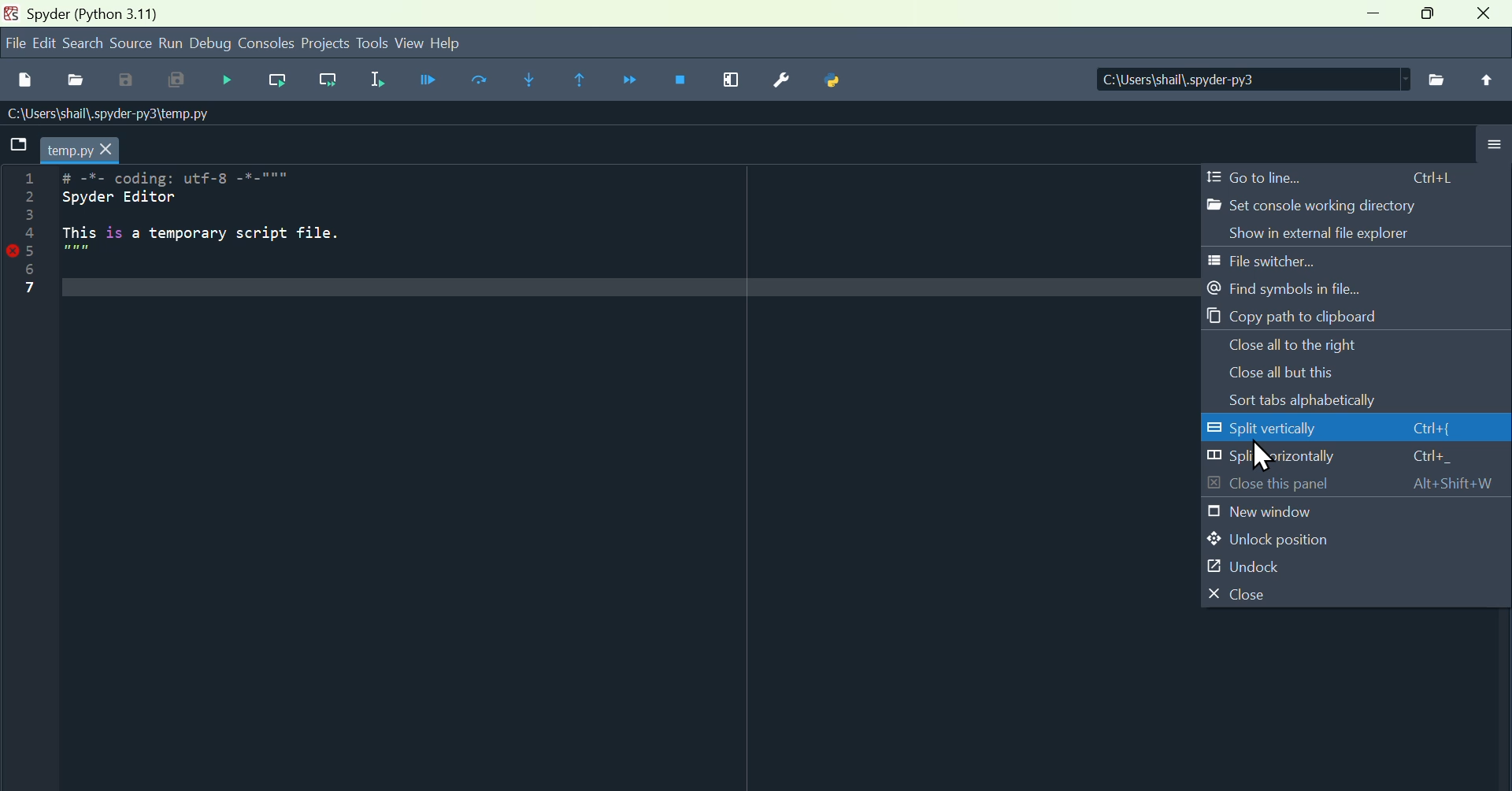 The image size is (1512, 791). I want to click on Sorts tabs alphabetically, so click(1362, 403).